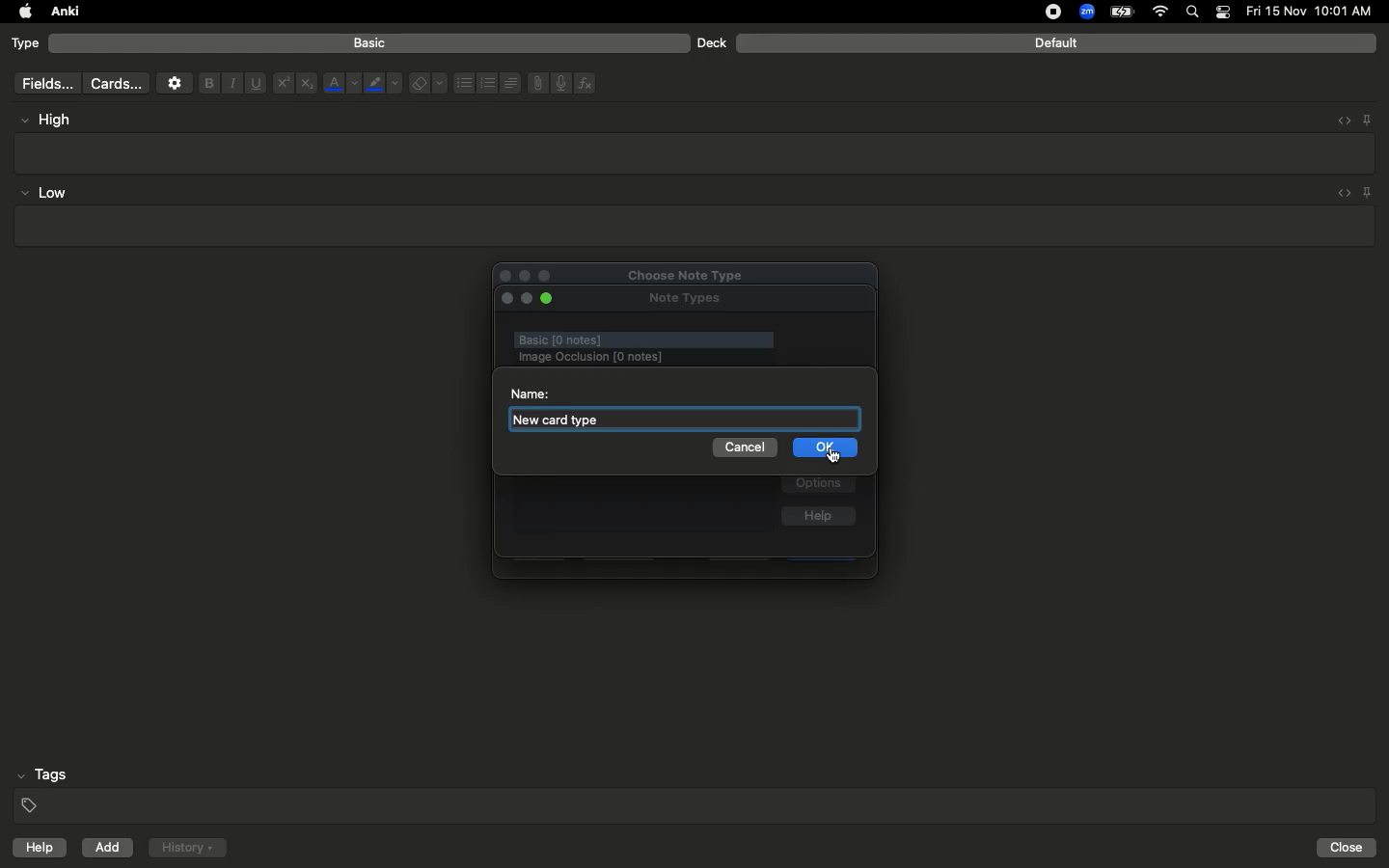  I want to click on date and time, so click(1315, 11).